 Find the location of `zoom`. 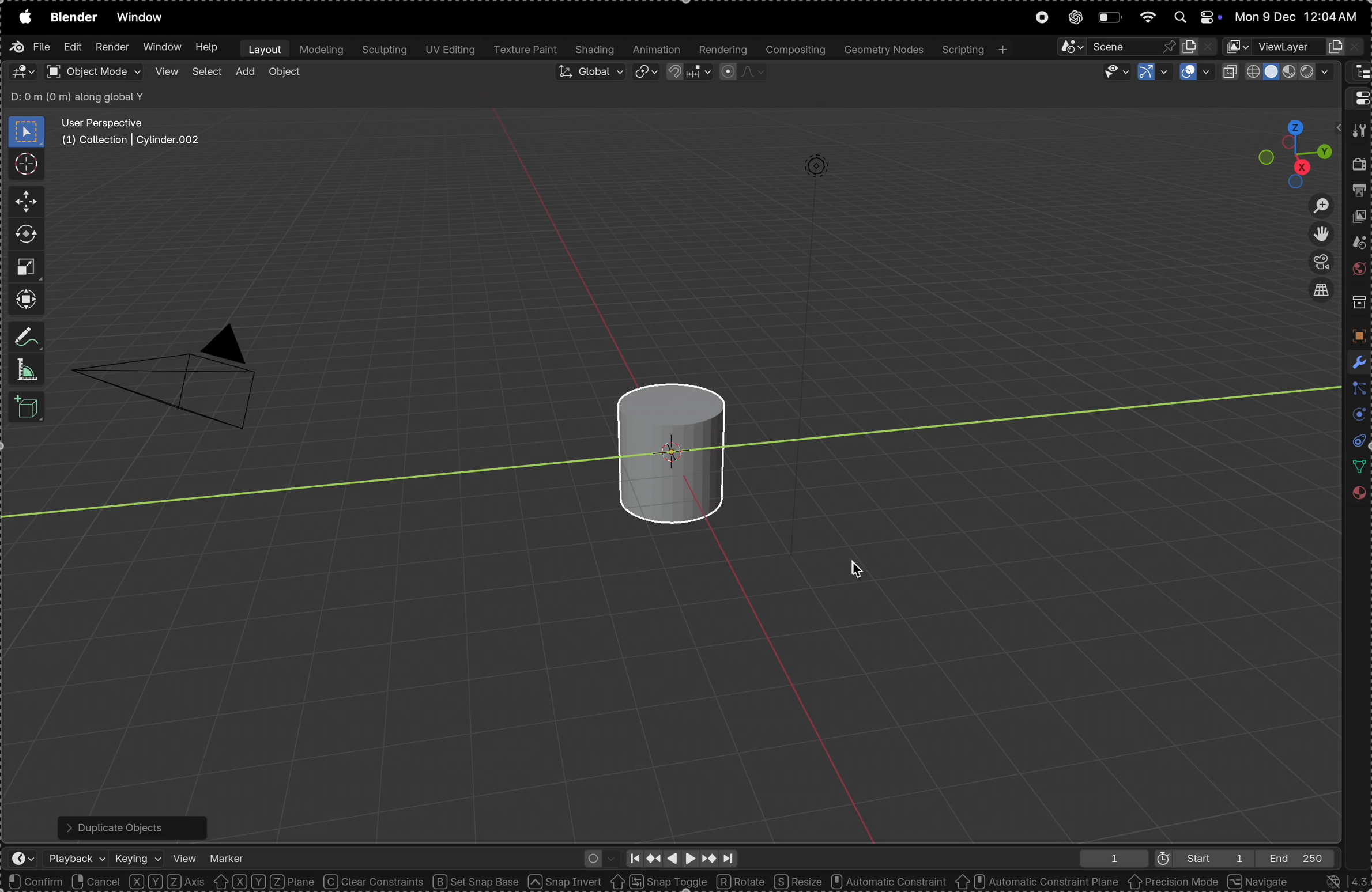

zoom is located at coordinates (1314, 205).